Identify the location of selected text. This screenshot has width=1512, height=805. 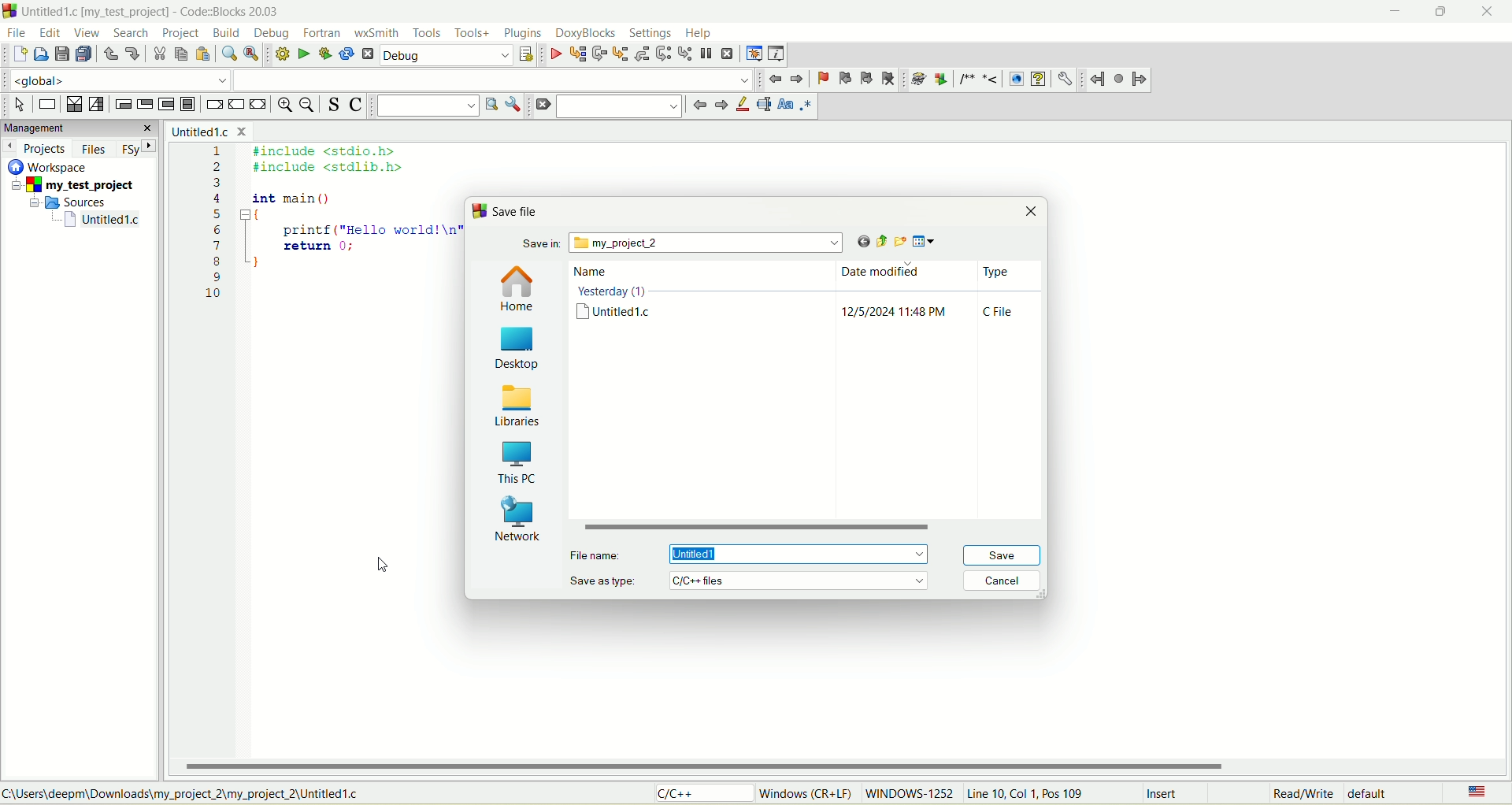
(764, 106).